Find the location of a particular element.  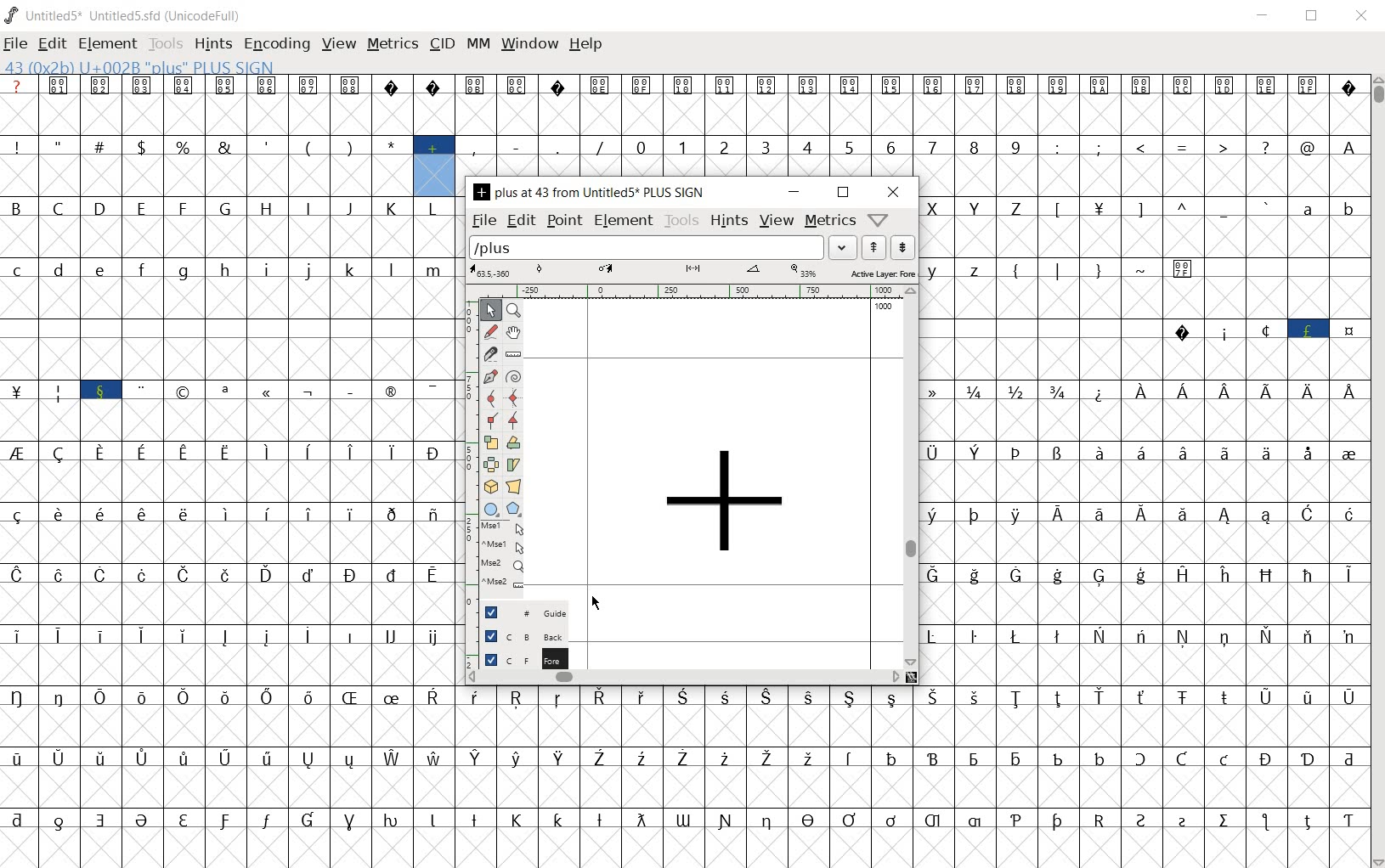

hints is located at coordinates (212, 45).